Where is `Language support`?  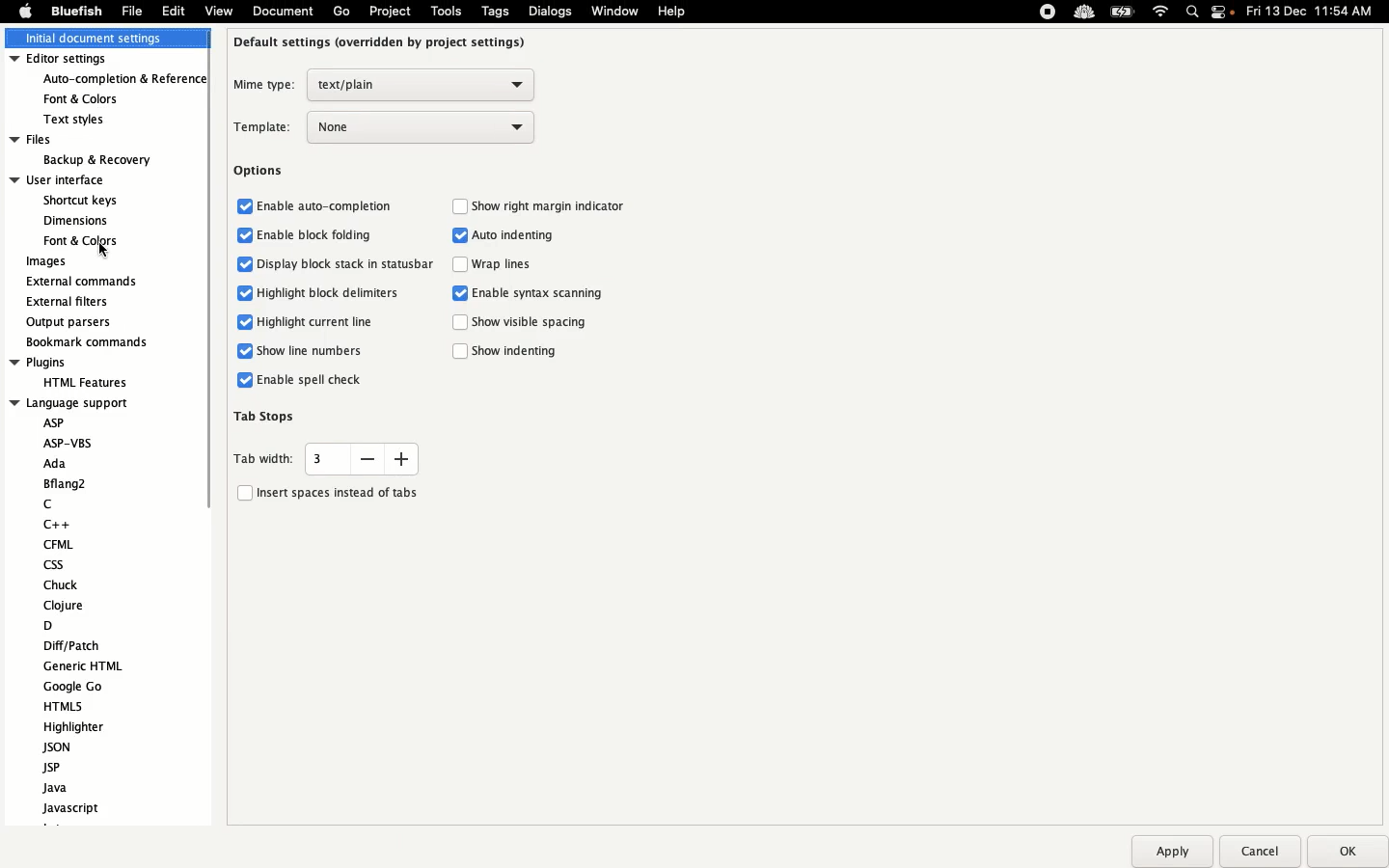 Language support is located at coordinates (94, 615).